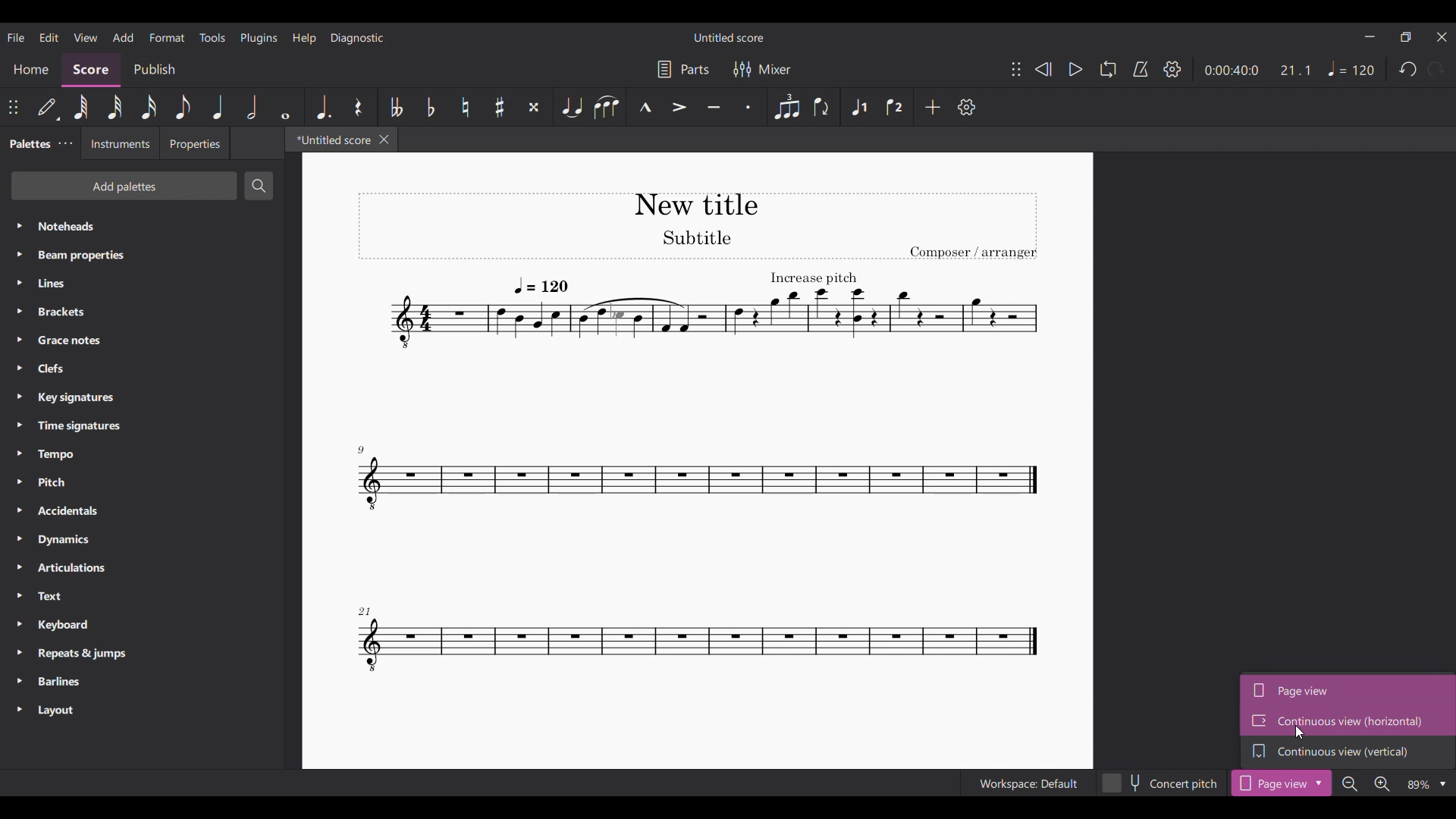 This screenshot has width=1456, height=819. I want to click on File menu, so click(16, 37).